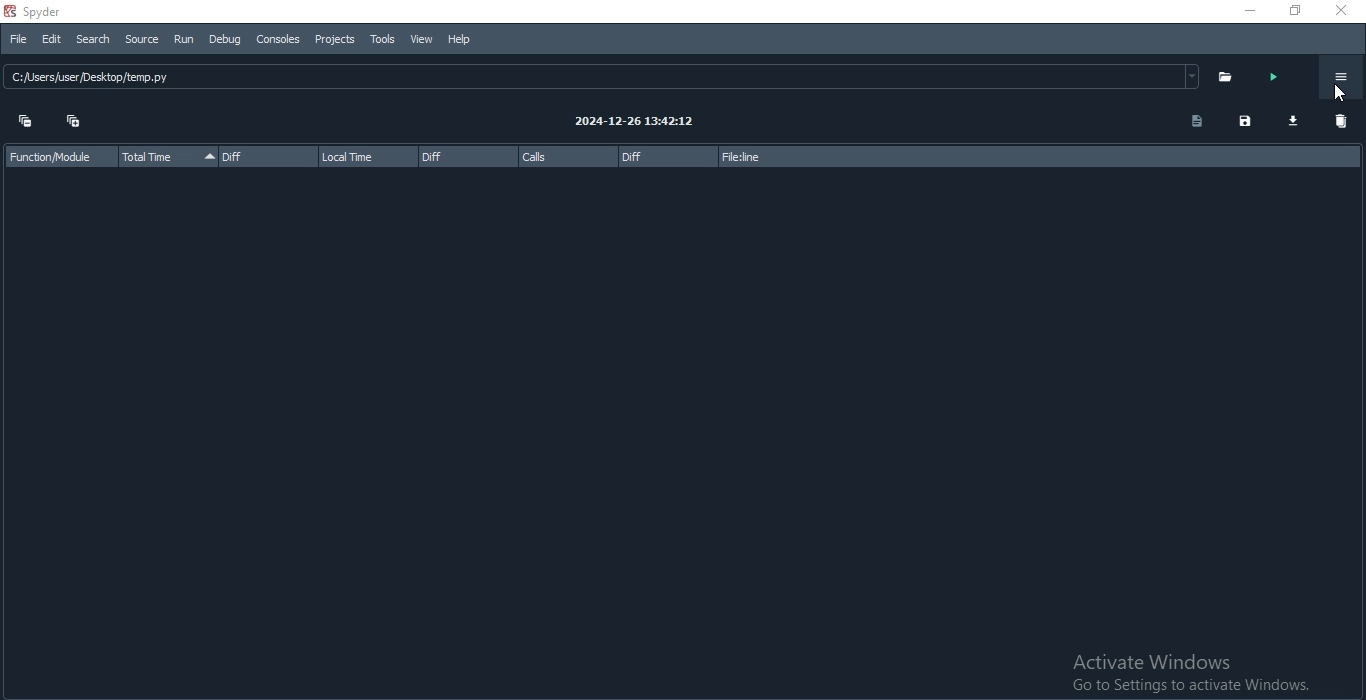 The height and width of the screenshot is (700, 1366). Describe the element at coordinates (268, 156) in the screenshot. I see `diff` at that location.